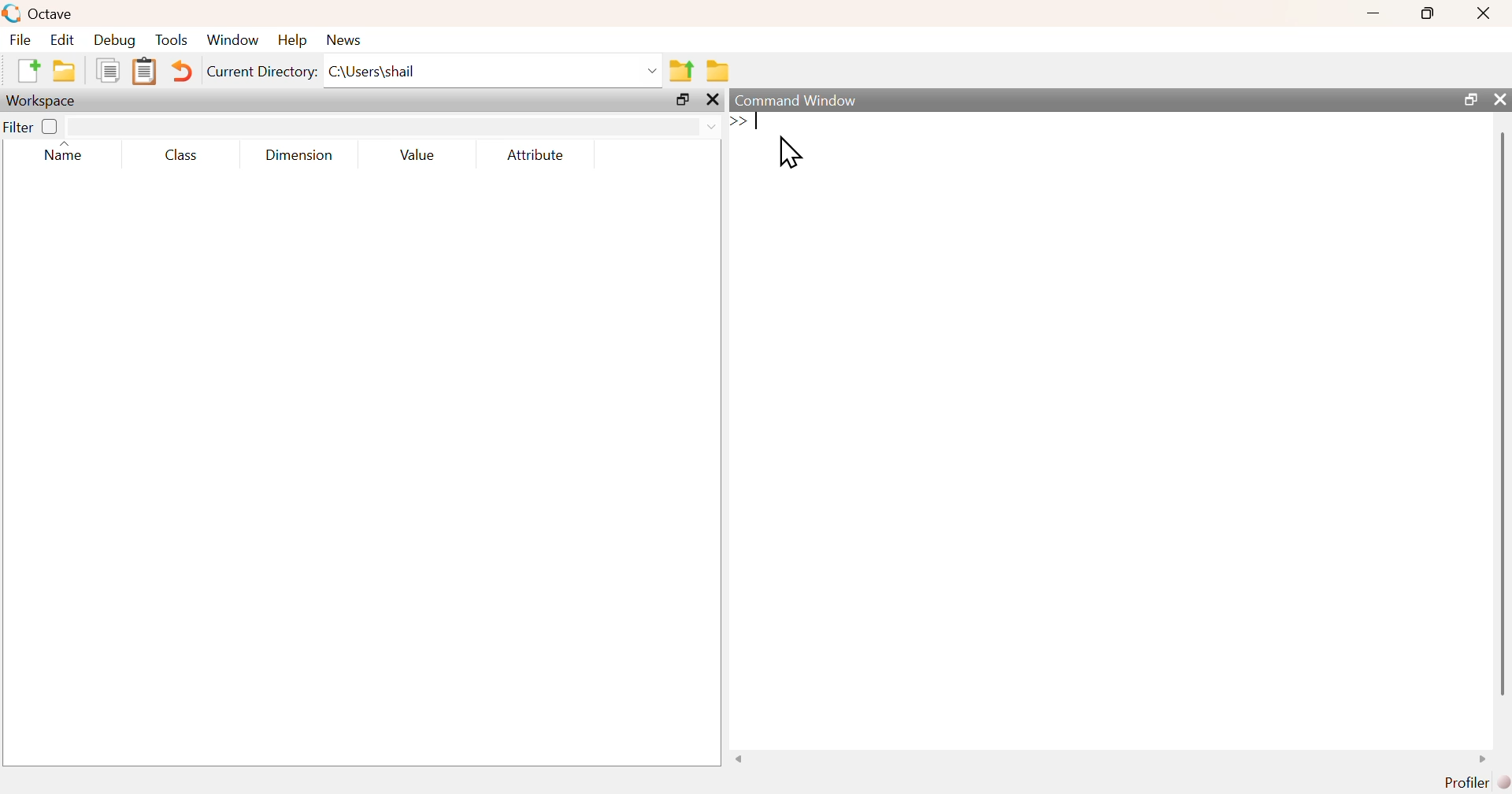 The image size is (1512, 794). What do you see at coordinates (1486, 13) in the screenshot?
I see `close` at bounding box center [1486, 13].